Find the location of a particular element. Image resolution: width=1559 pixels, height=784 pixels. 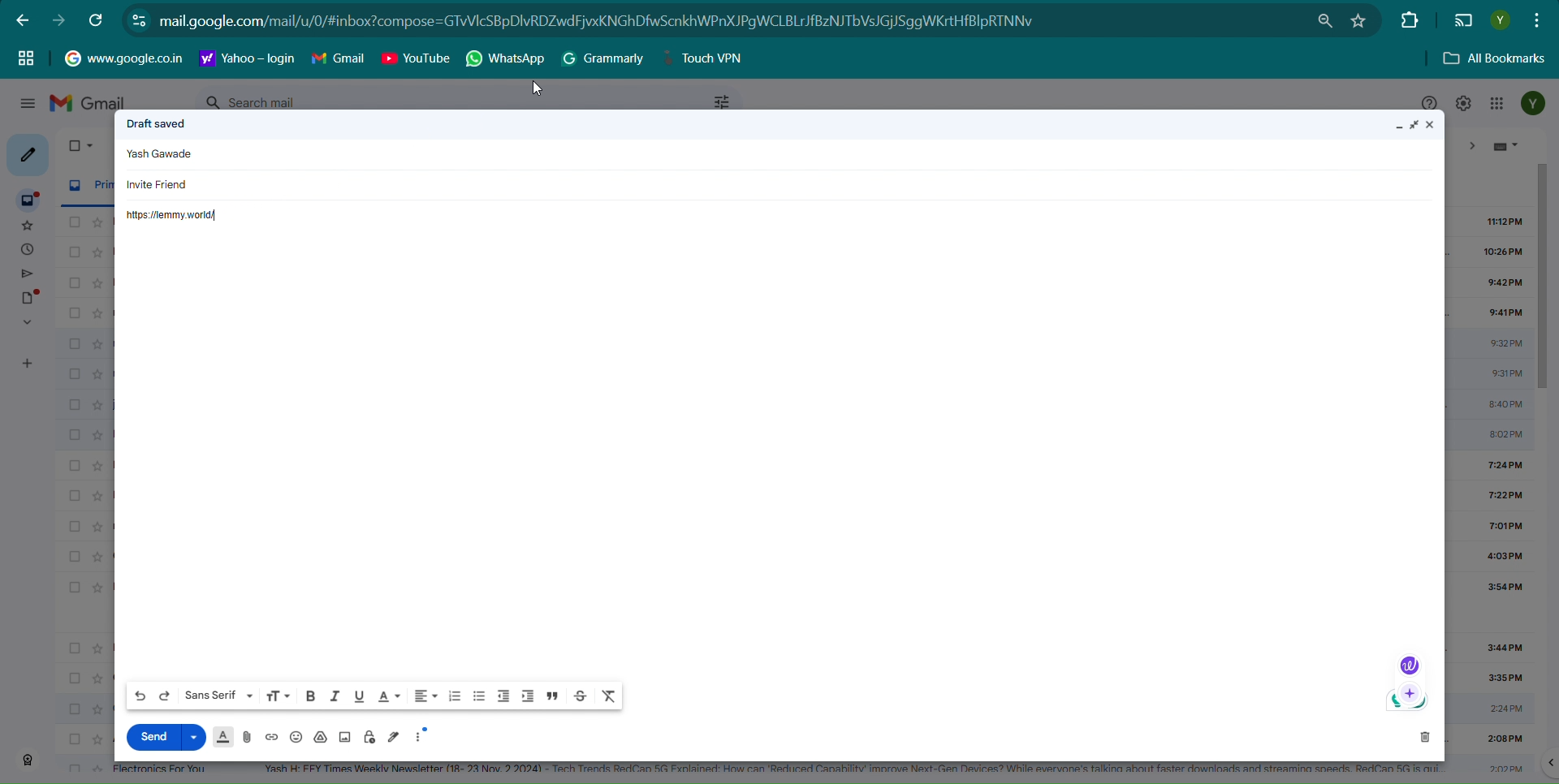

Send is located at coordinates (151, 736).